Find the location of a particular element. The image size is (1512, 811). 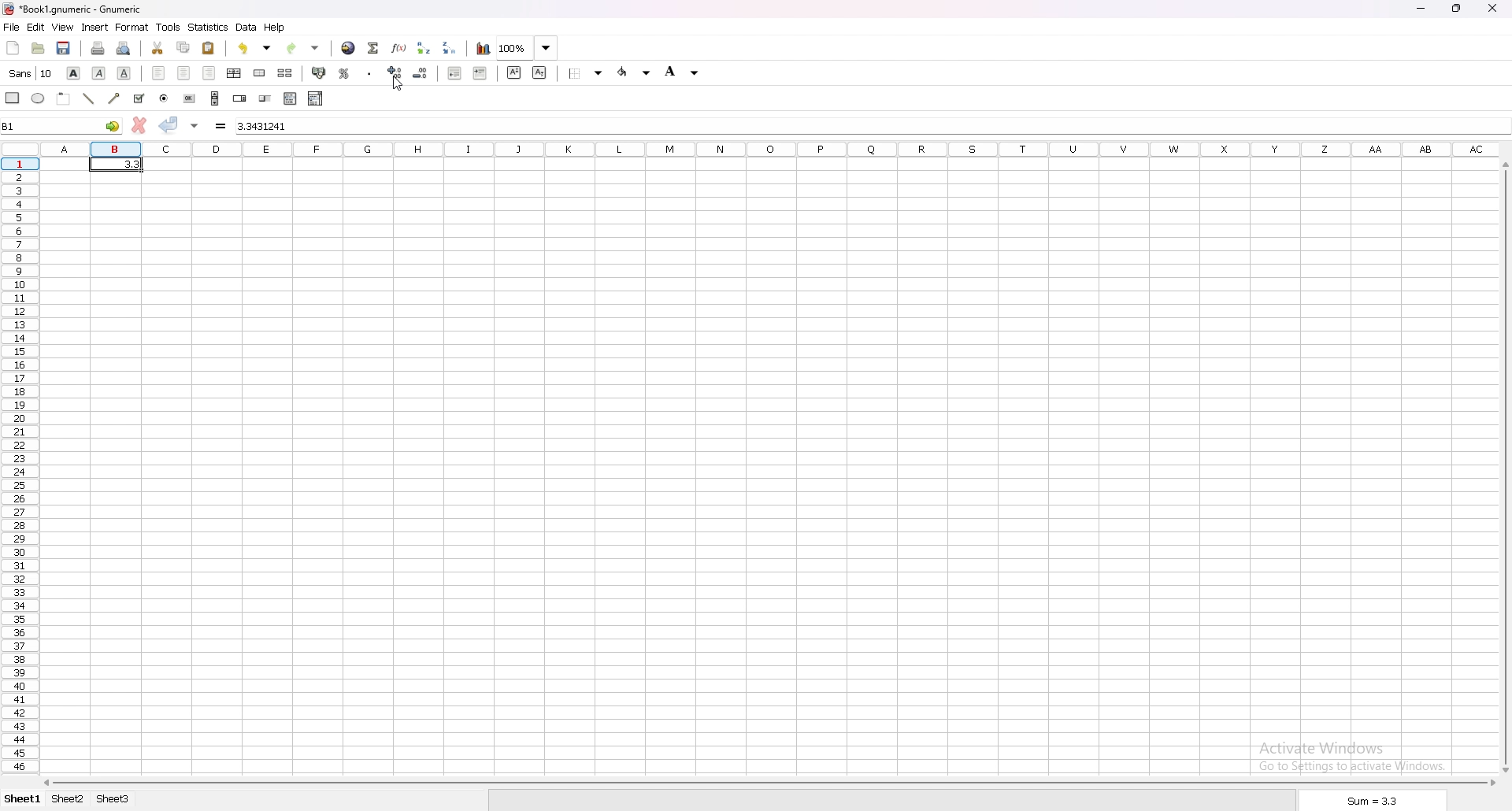

rectangle is located at coordinates (13, 98).